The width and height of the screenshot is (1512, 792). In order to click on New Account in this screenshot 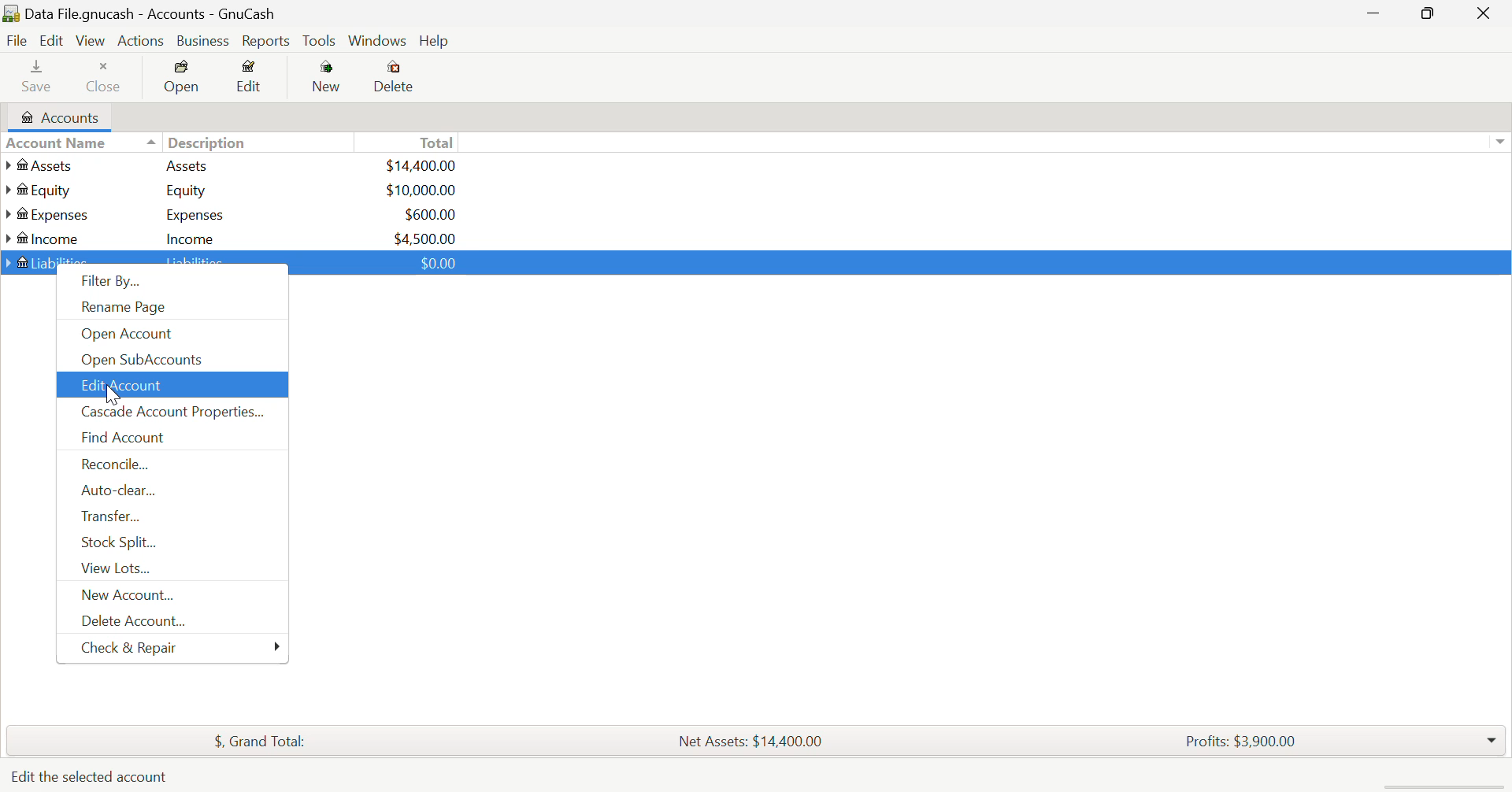, I will do `click(171, 595)`.